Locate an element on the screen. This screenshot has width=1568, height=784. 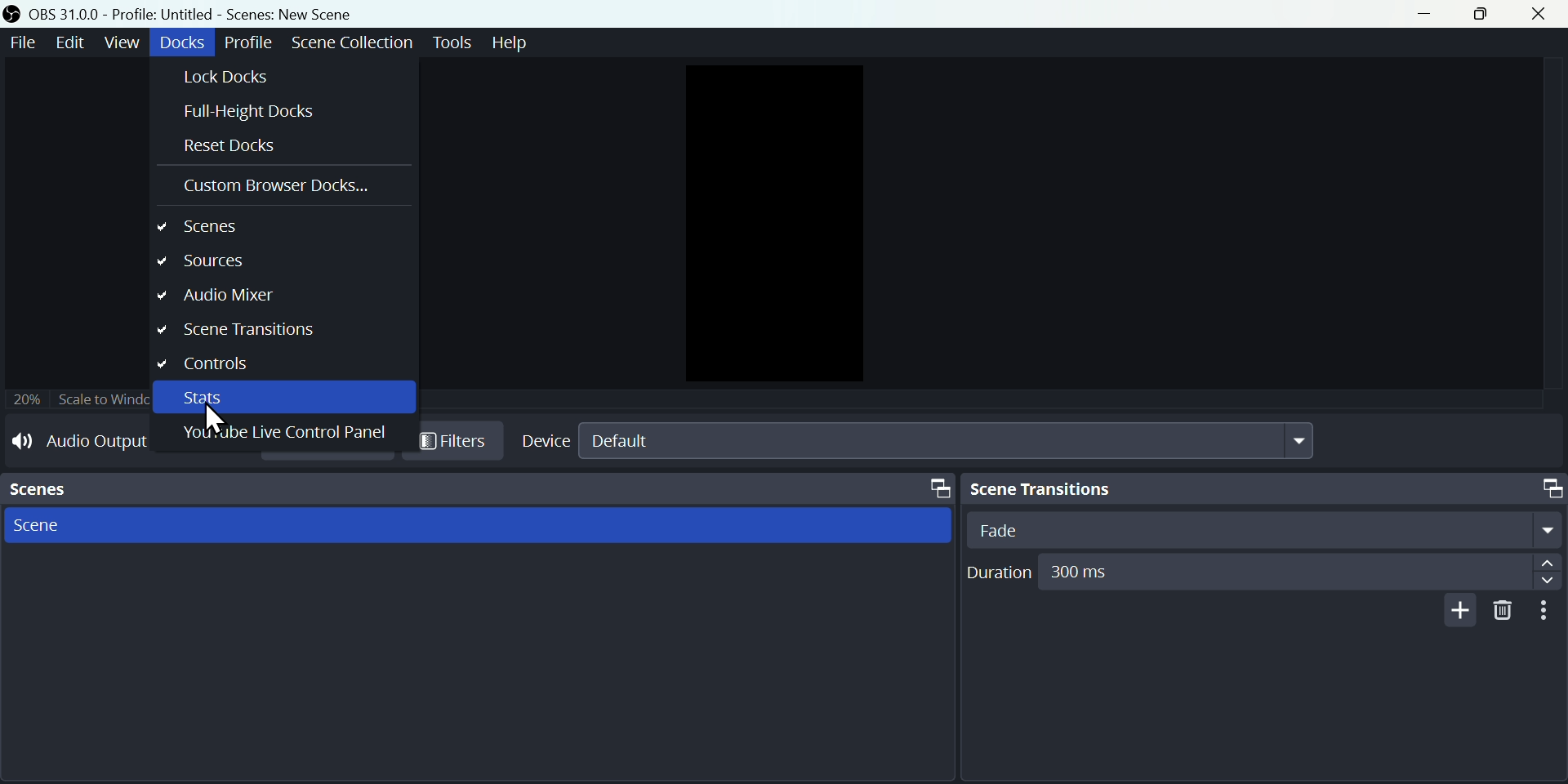
help is located at coordinates (515, 43).